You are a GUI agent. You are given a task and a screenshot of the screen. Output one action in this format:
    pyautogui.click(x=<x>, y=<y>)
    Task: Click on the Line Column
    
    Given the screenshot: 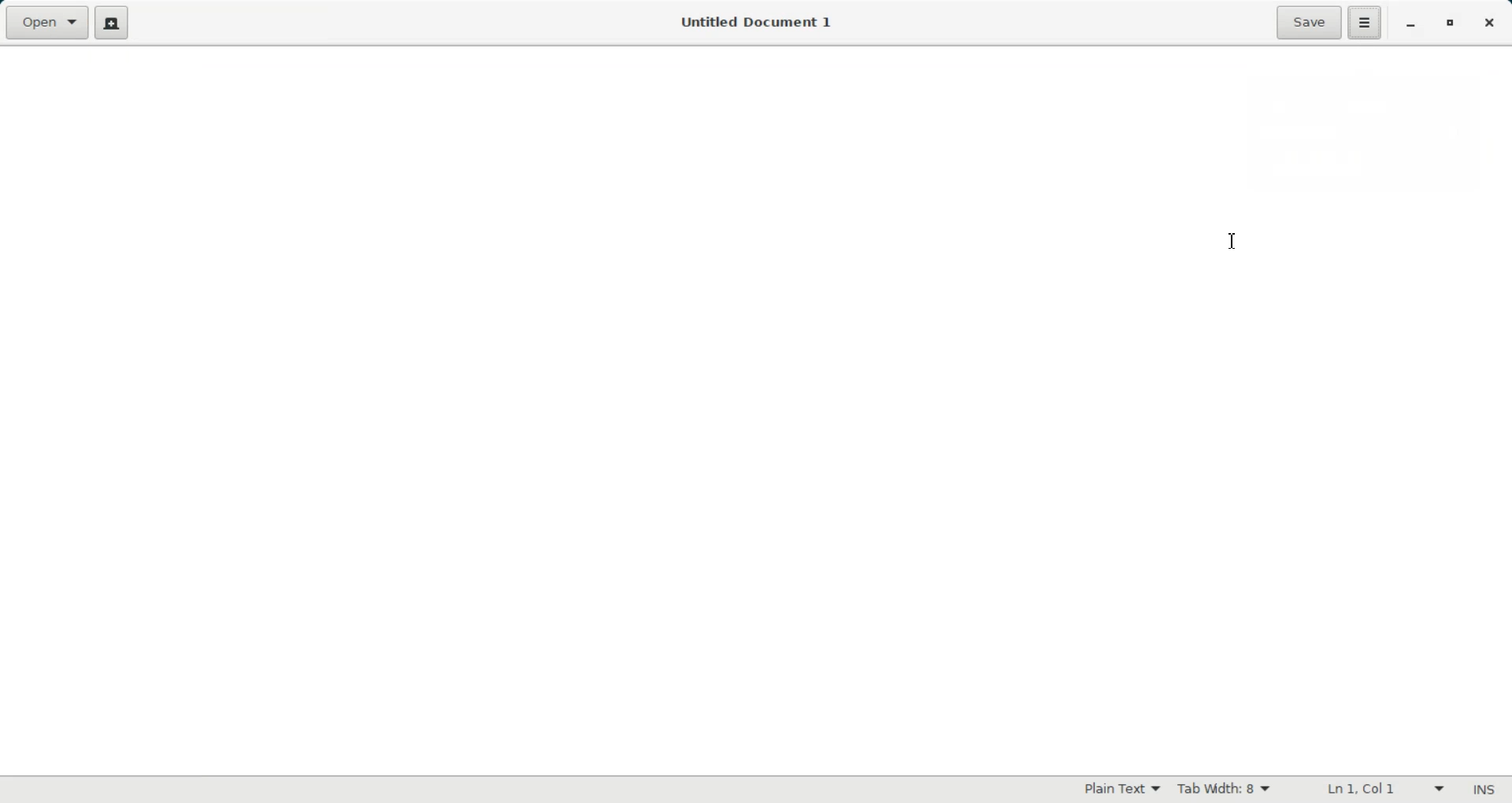 What is the action you would take?
    pyautogui.click(x=1375, y=788)
    